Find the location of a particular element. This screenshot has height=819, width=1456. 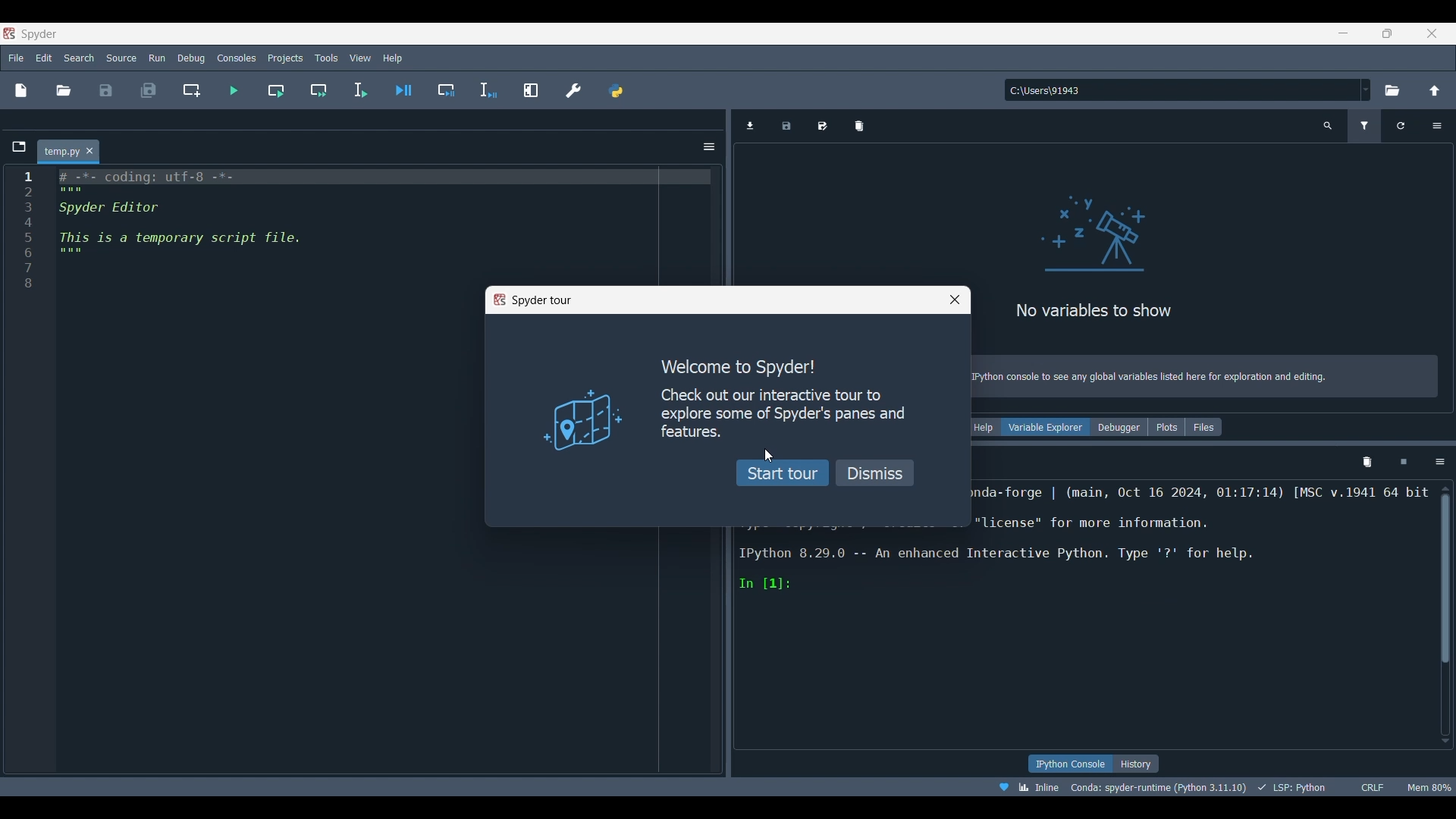

spyder tour is located at coordinates (527, 303).